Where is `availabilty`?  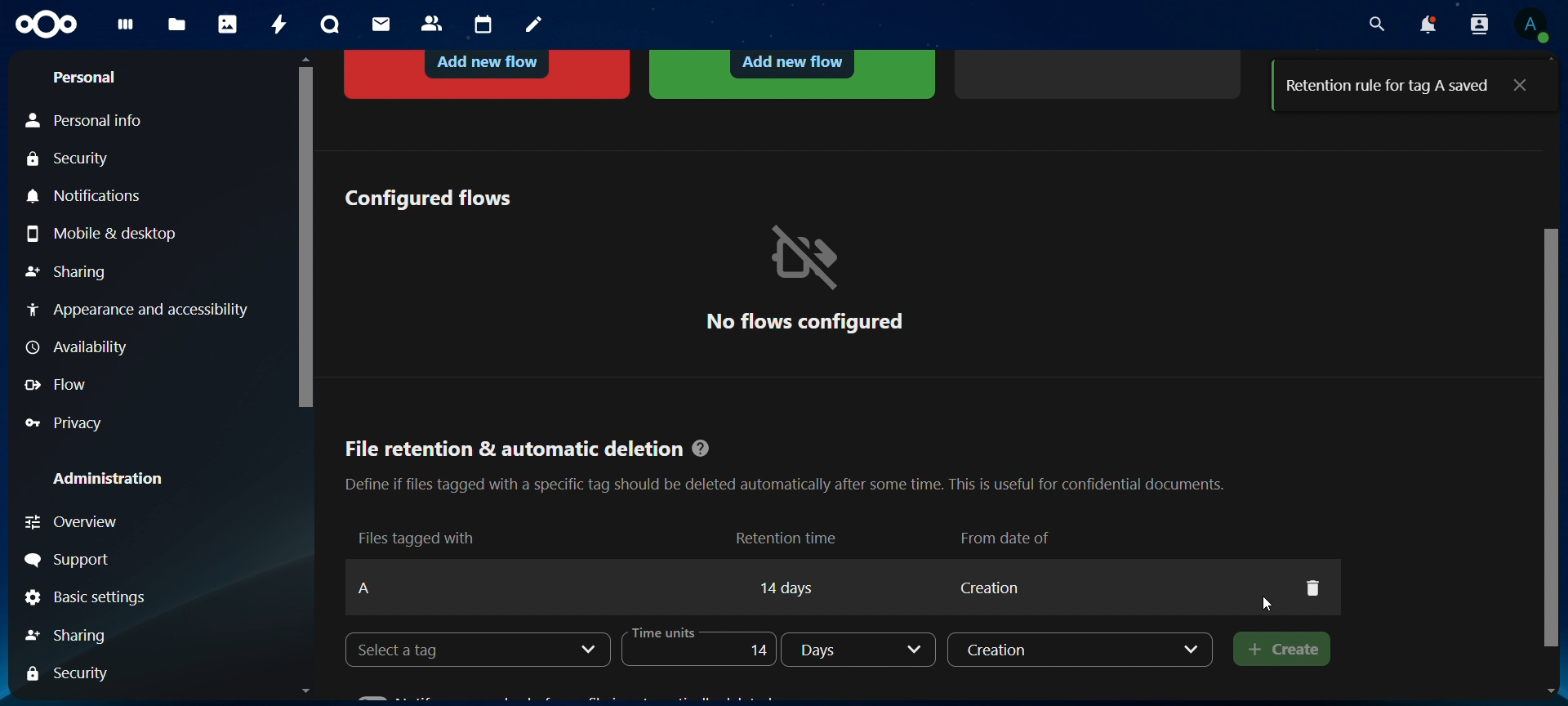
availabilty is located at coordinates (81, 349).